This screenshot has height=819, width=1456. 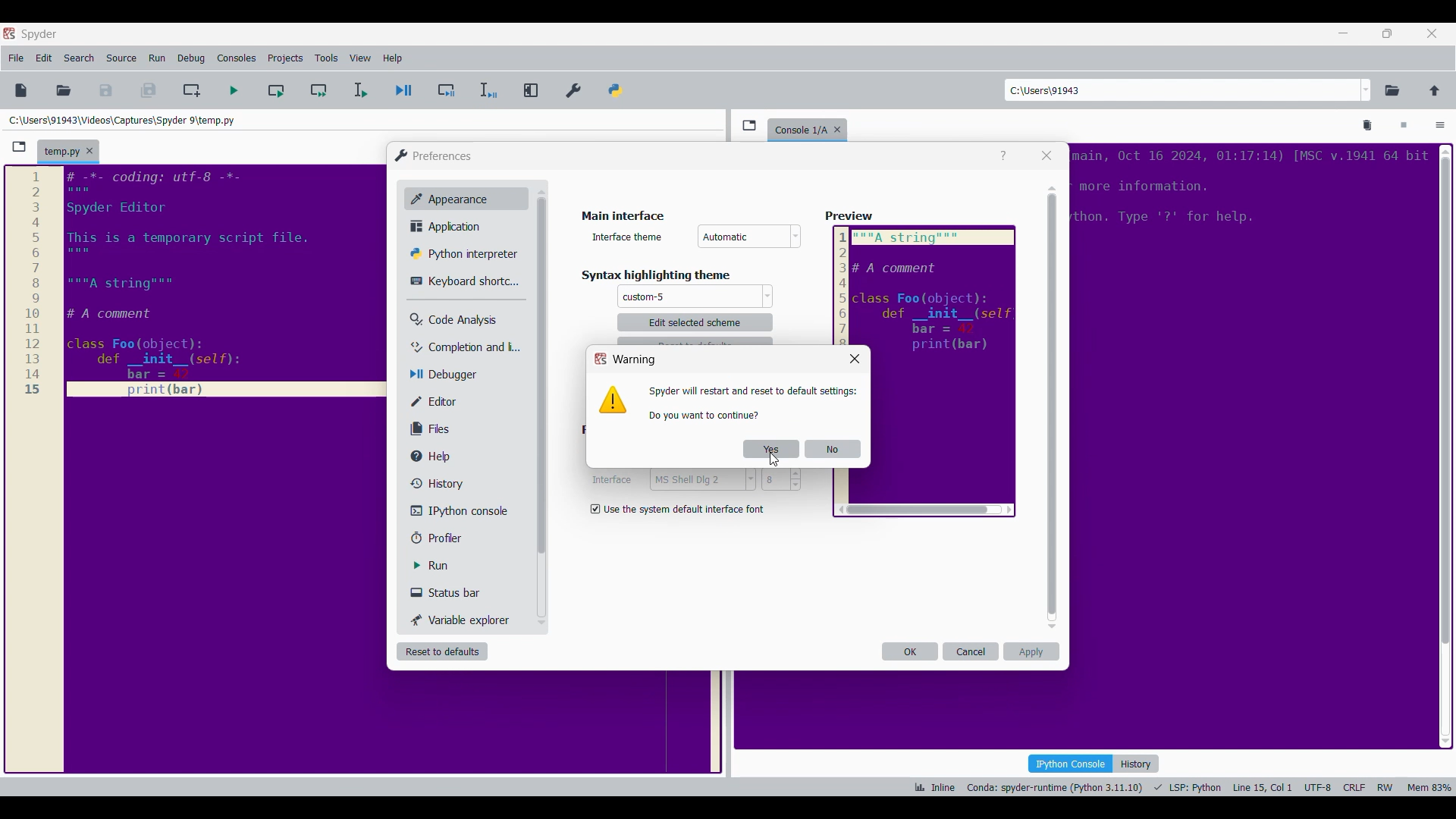 I want to click on History, so click(x=1136, y=763).